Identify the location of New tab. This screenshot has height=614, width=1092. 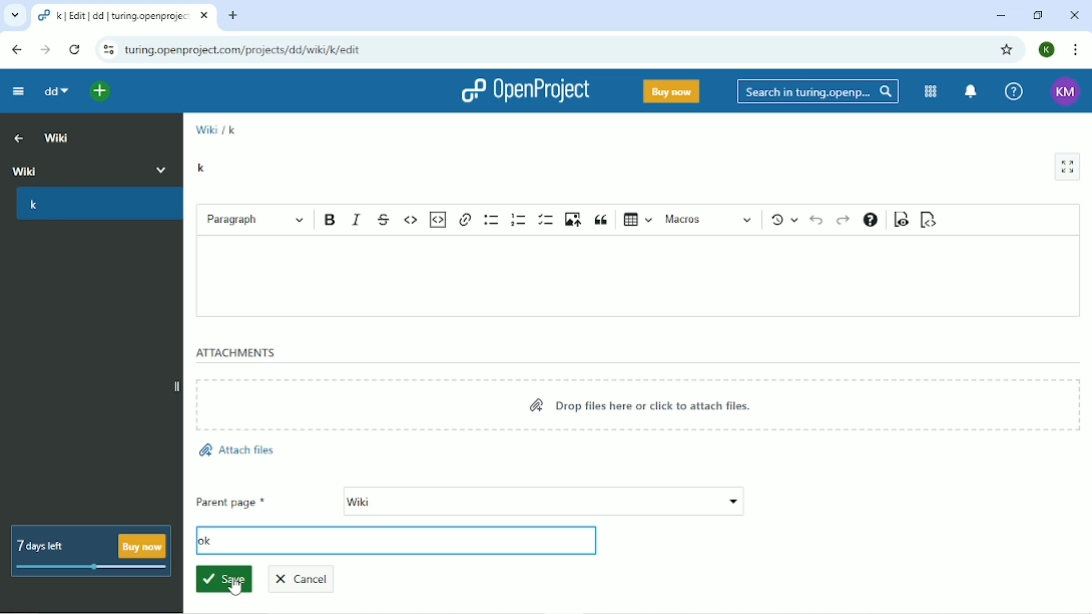
(235, 15).